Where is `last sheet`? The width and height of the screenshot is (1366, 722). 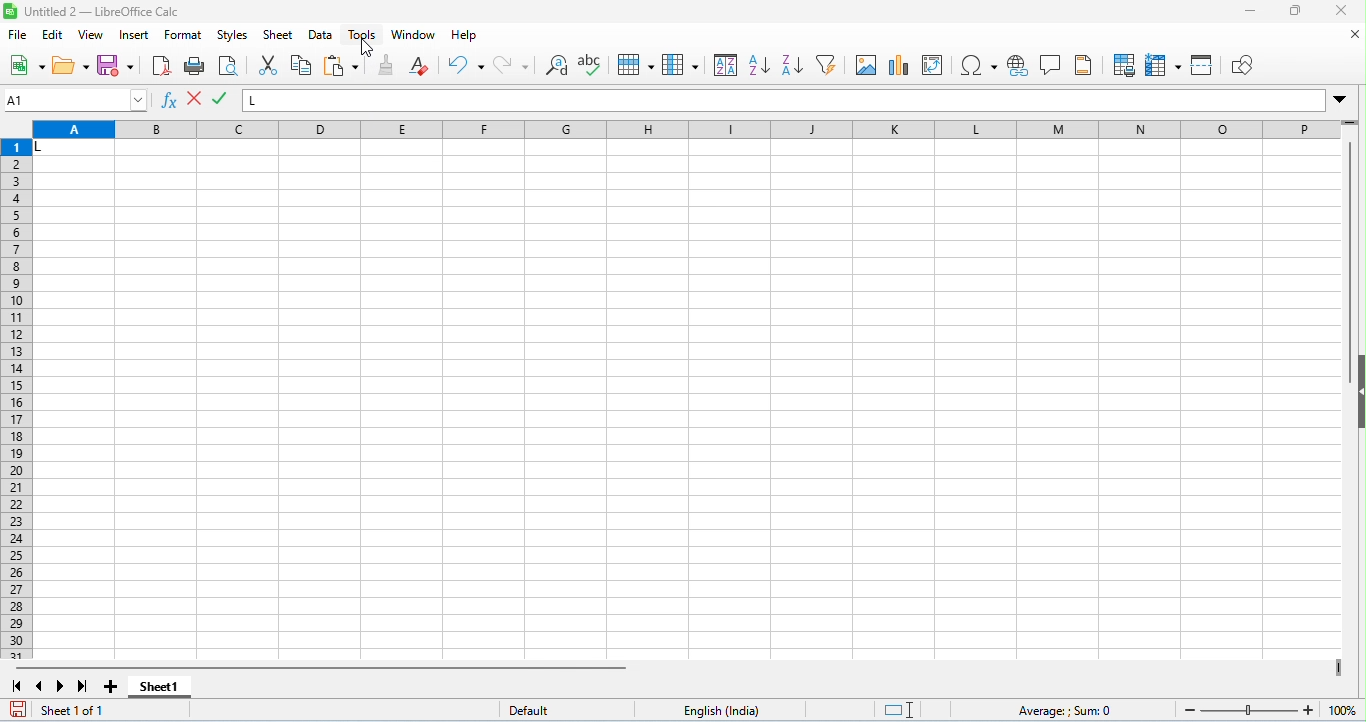
last sheet is located at coordinates (83, 686).